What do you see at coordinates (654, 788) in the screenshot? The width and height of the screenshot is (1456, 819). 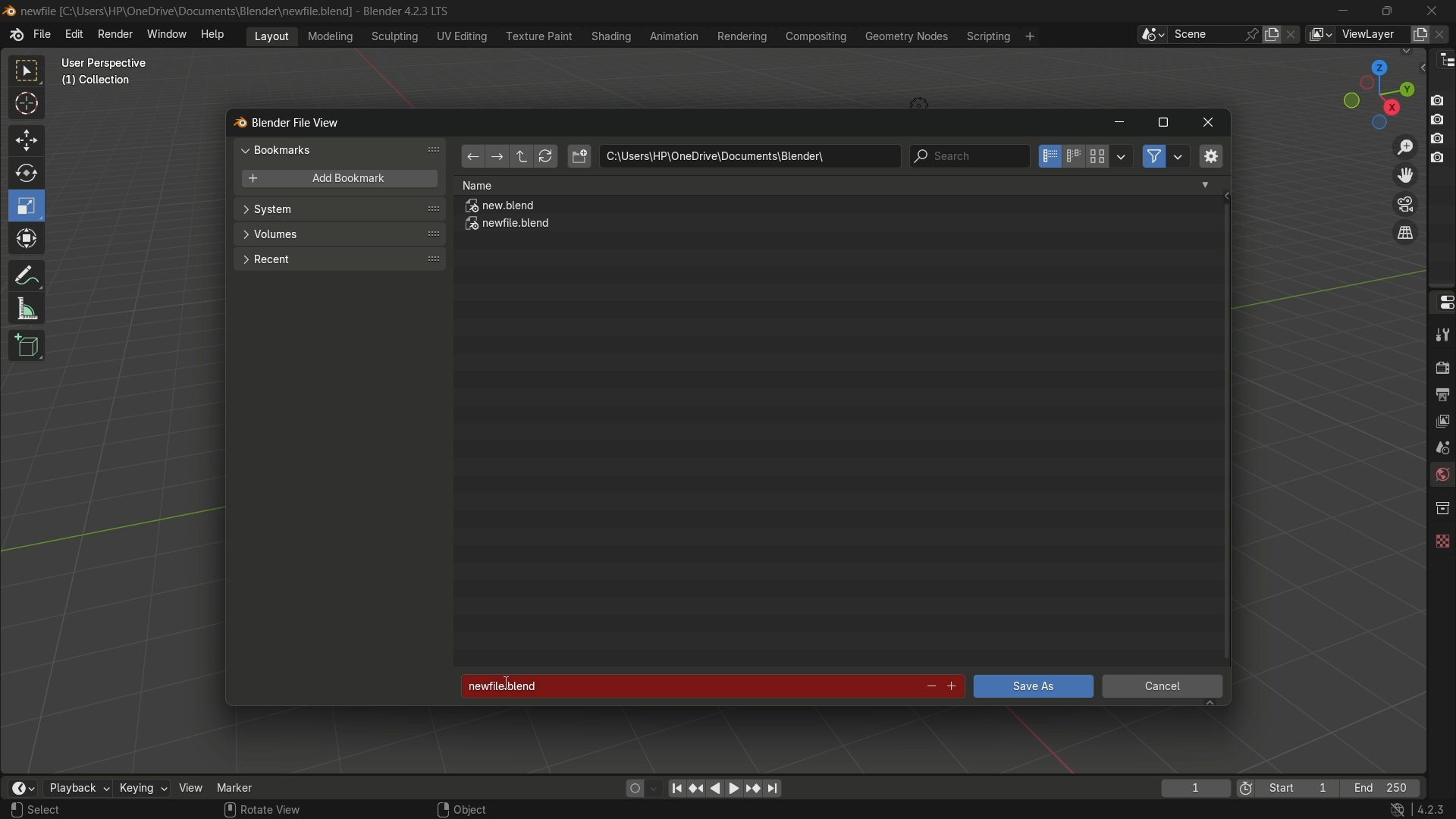 I see `auto keyframe` at bounding box center [654, 788].